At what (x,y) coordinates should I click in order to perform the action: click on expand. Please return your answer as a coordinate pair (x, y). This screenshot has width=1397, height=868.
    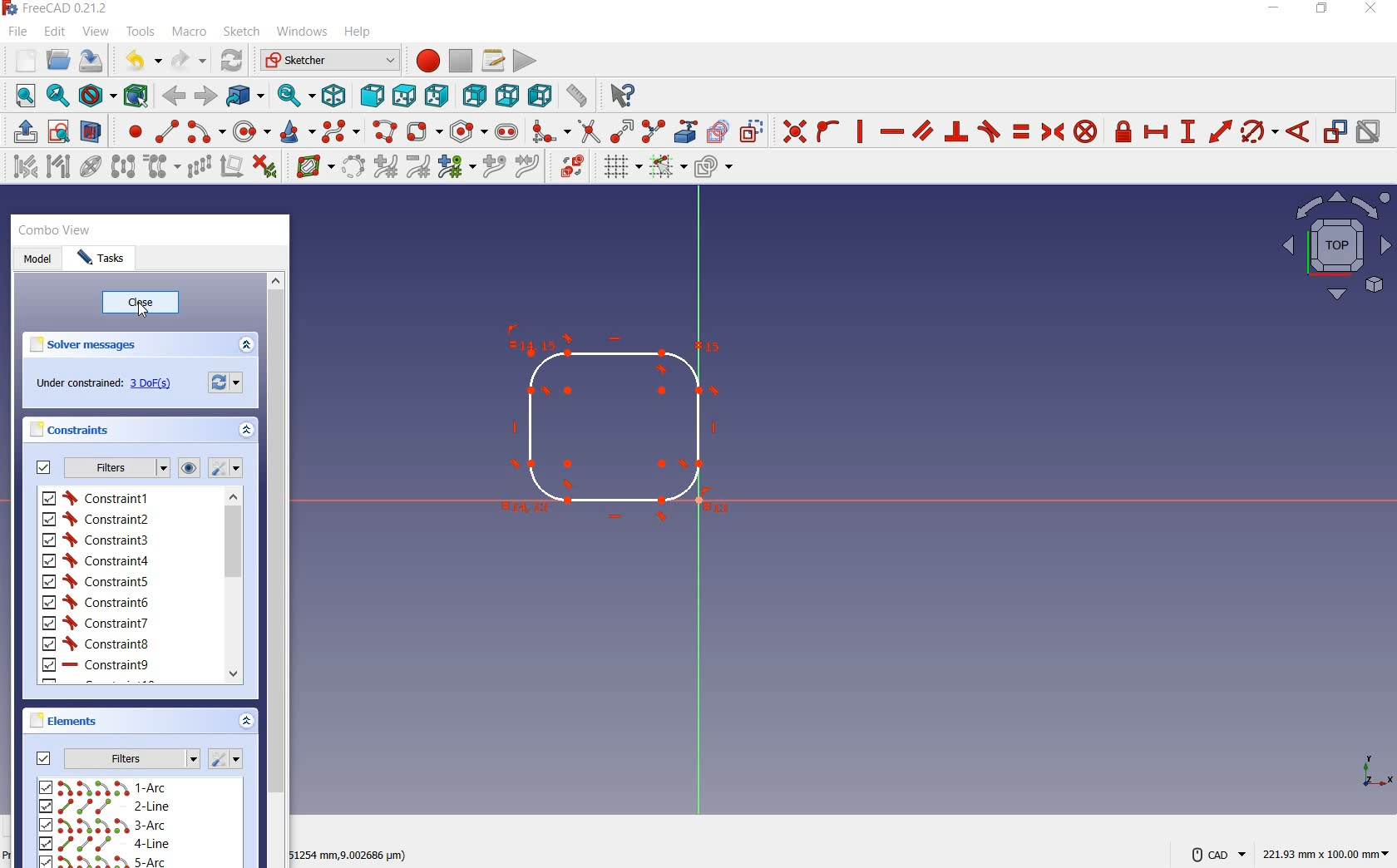
    Looking at the image, I should click on (247, 345).